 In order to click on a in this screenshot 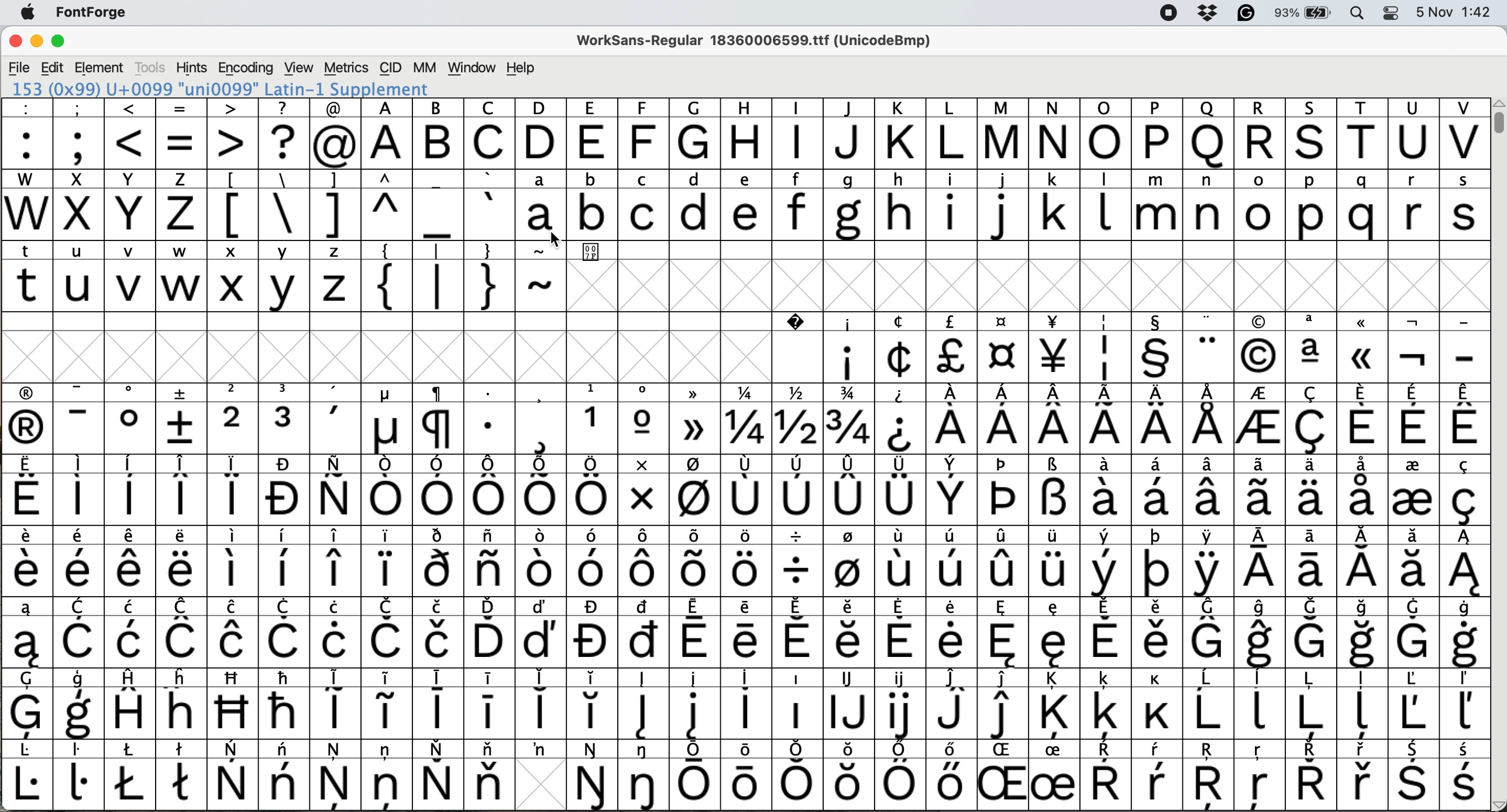, I will do `click(541, 204)`.